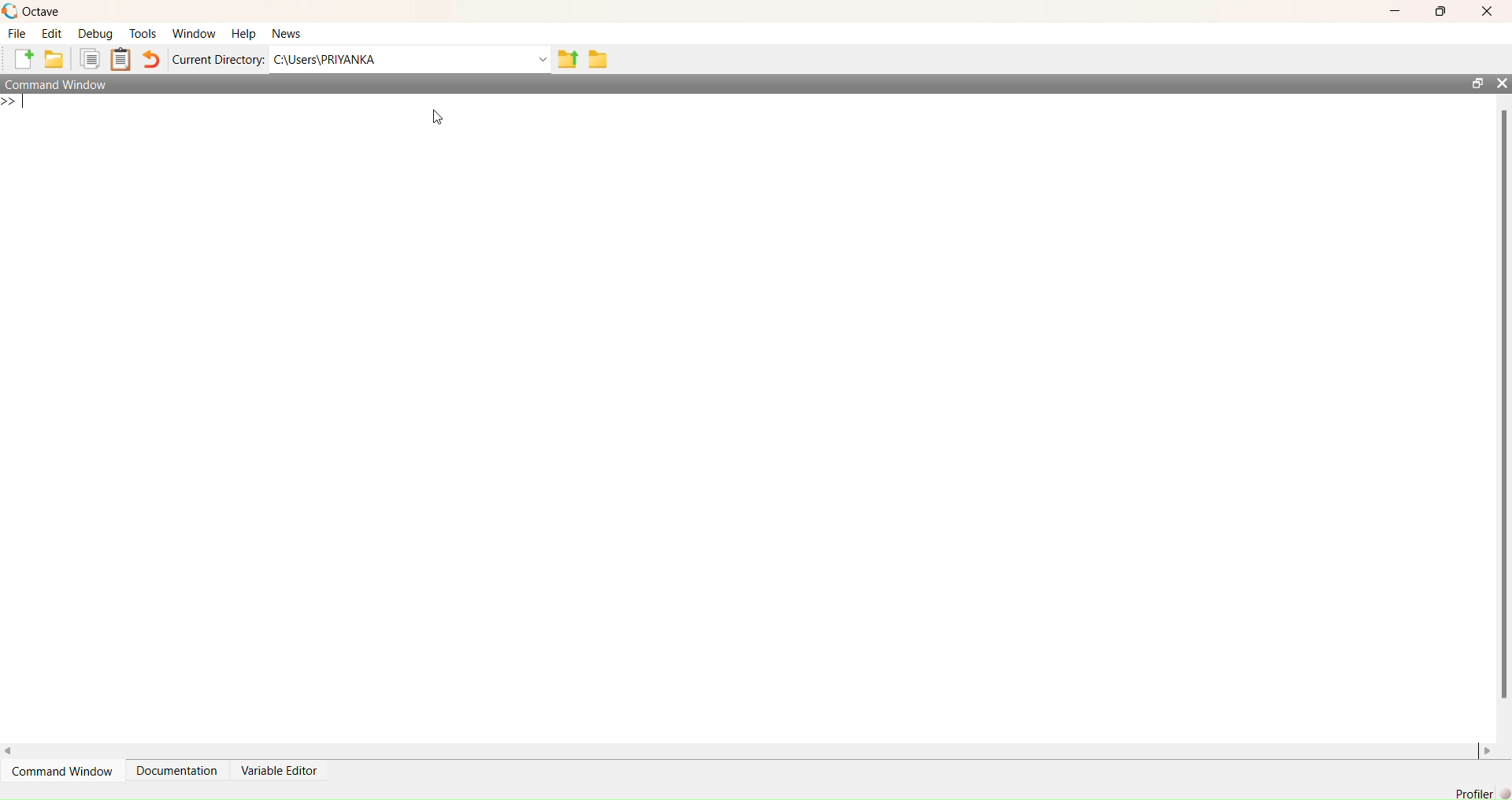  Describe the element at coordinates (1478, 83) in the screenshot. I see `open in separate window` at that location.